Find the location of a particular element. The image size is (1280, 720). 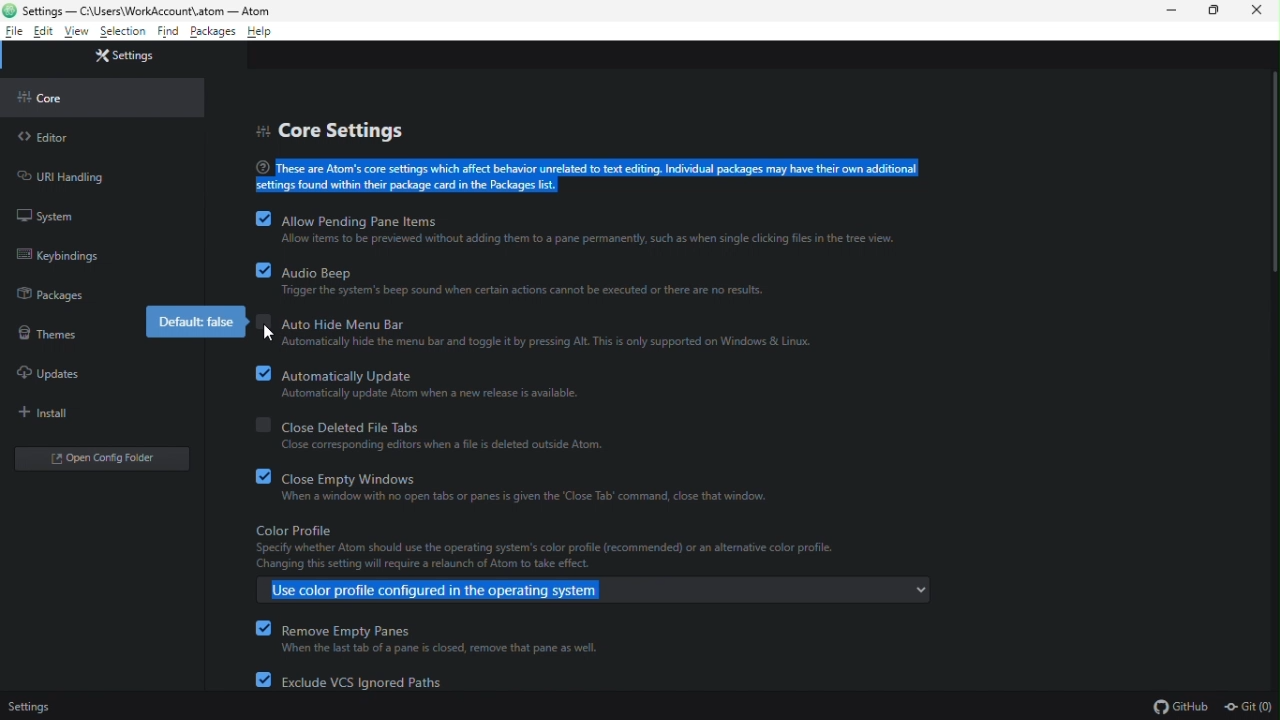

 is located at coordinates (254, 630).